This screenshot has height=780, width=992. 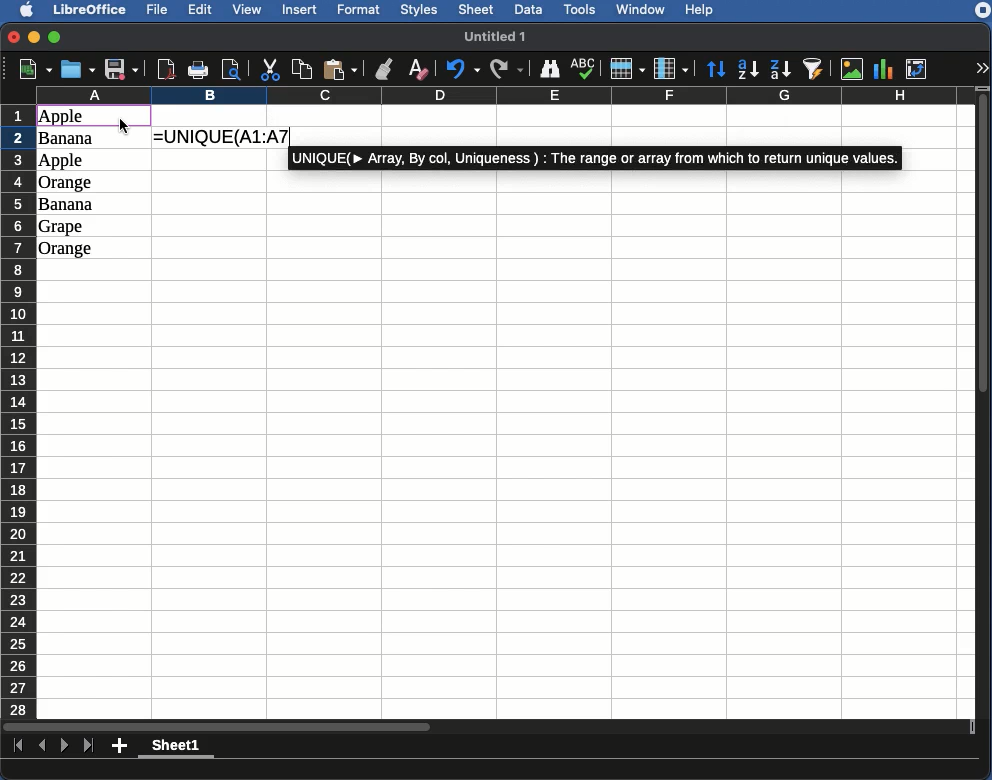 What do you see at coordinates (508, 68) in the screenshot?
I see `Redo` at bounding box center [508, 68].